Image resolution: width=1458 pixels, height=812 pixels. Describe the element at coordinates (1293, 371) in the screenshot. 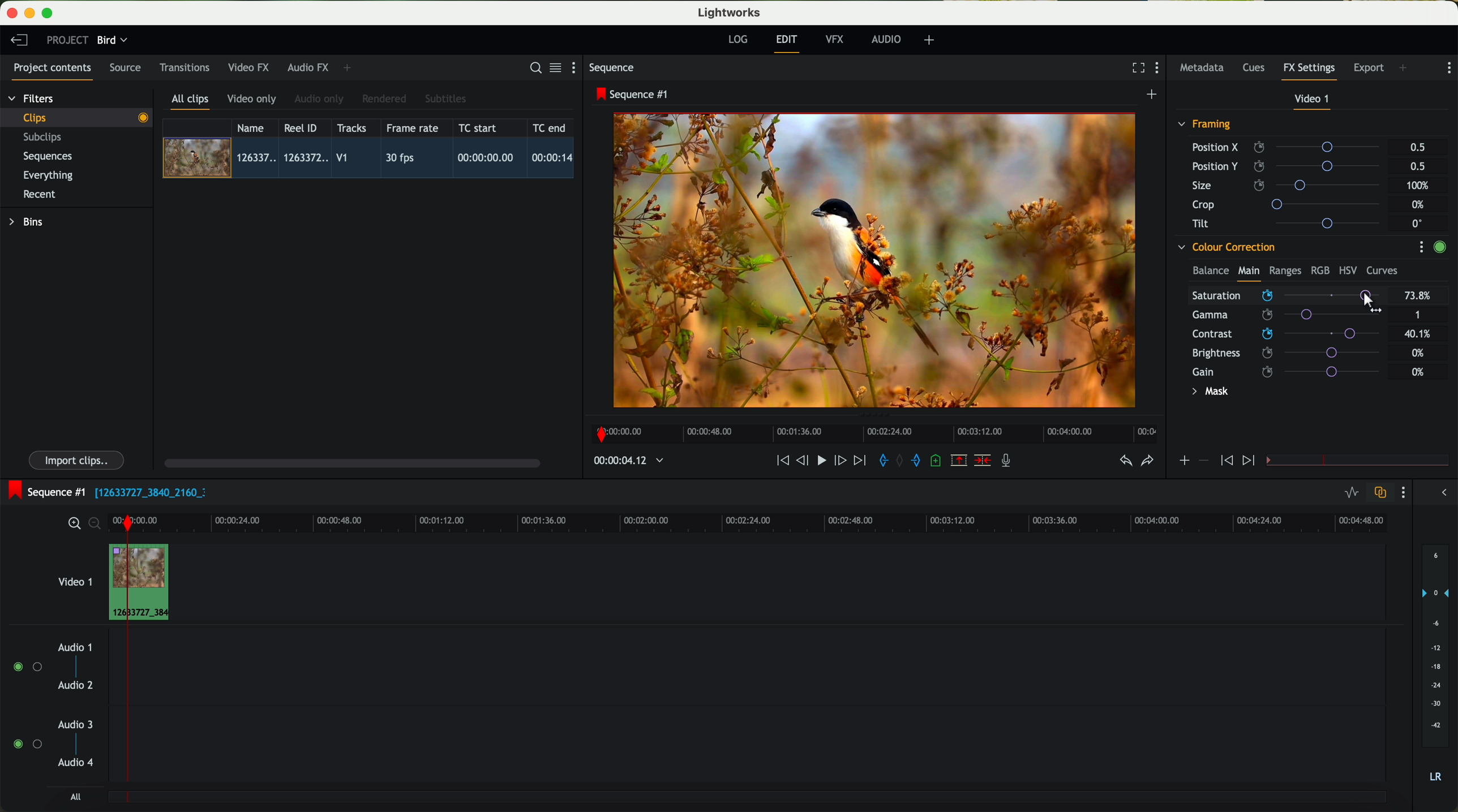

I see `gain` at that location.